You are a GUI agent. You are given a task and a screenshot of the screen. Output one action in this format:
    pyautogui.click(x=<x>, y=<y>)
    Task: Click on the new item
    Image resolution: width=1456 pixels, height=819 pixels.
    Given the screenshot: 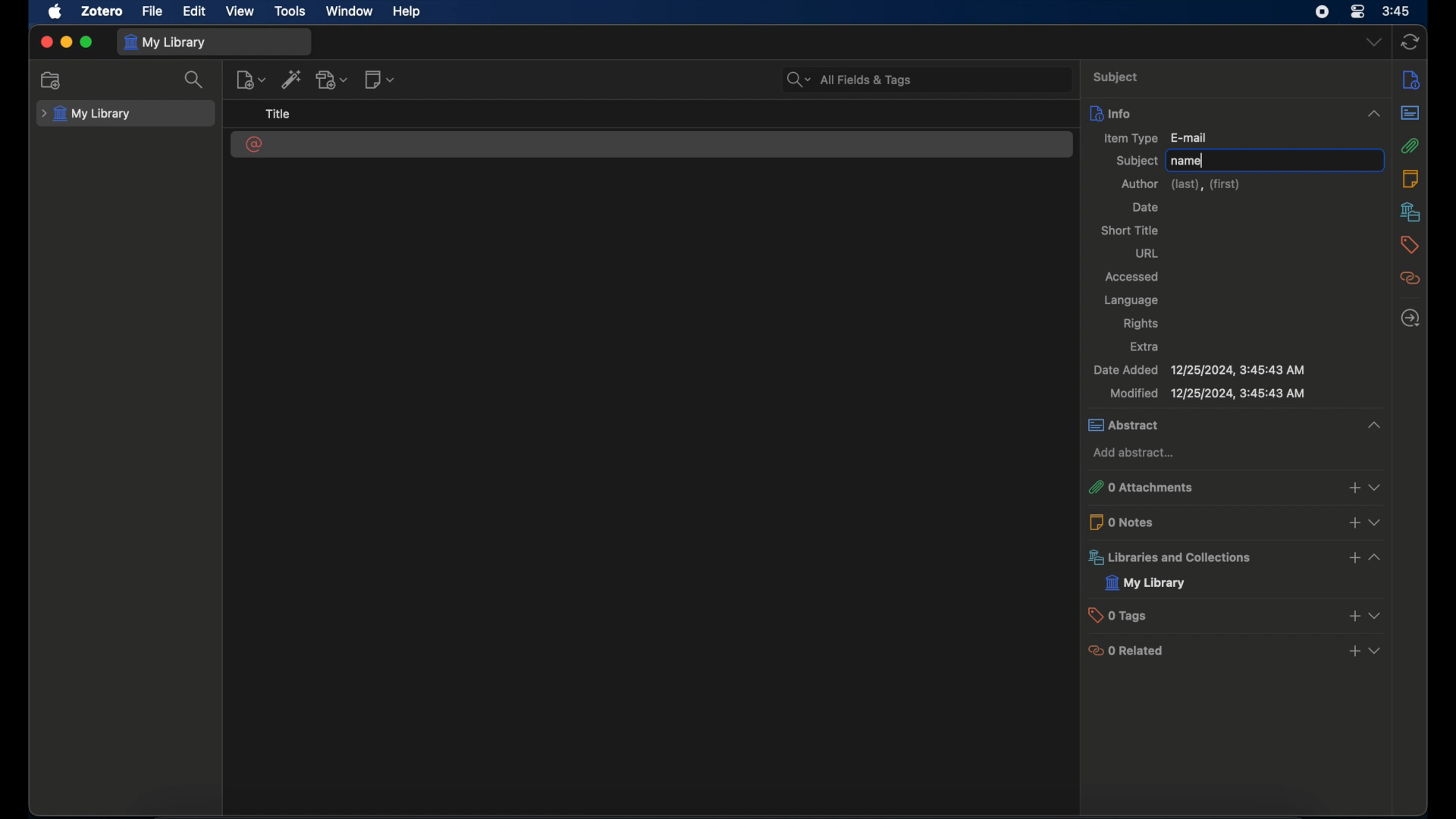 What is the action you would take?
    pyautogui.click(x=251, y=80)
    